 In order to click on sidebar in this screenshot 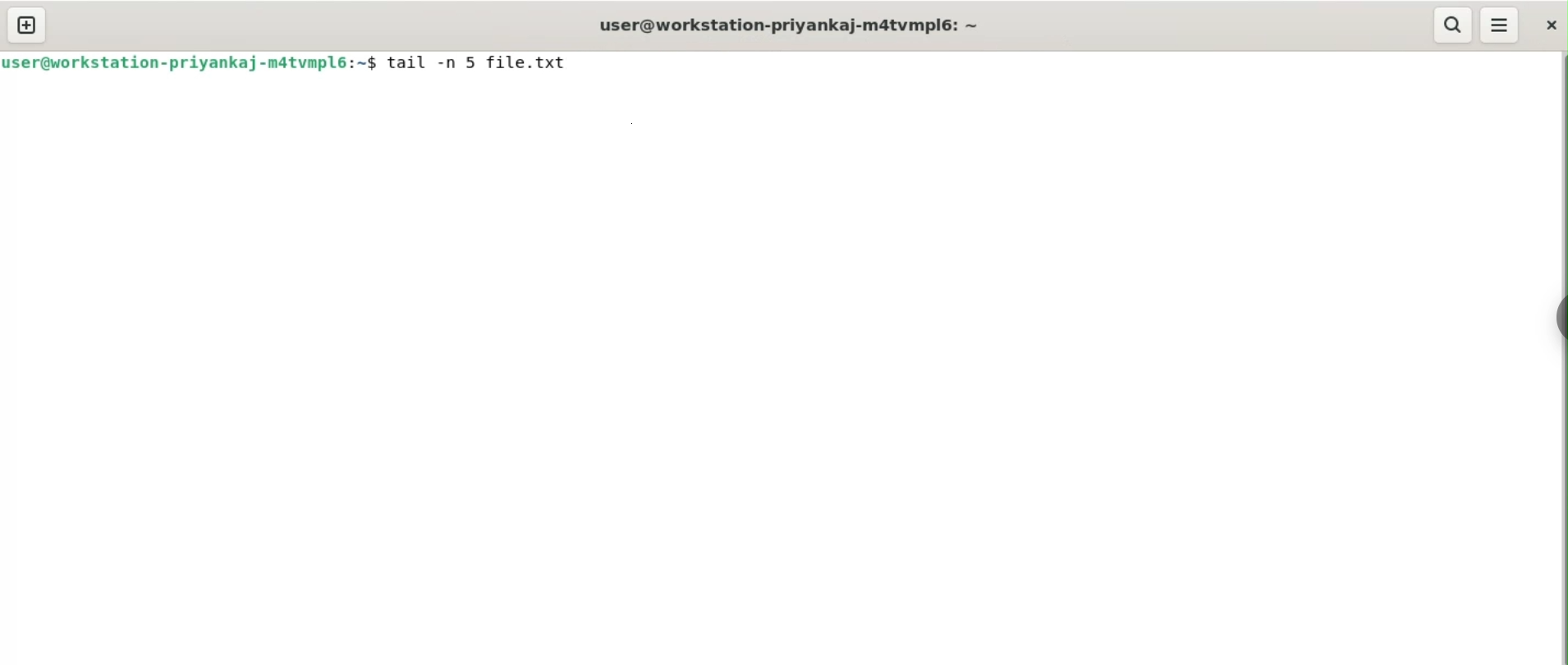, I will do `click(1560, 318)`.